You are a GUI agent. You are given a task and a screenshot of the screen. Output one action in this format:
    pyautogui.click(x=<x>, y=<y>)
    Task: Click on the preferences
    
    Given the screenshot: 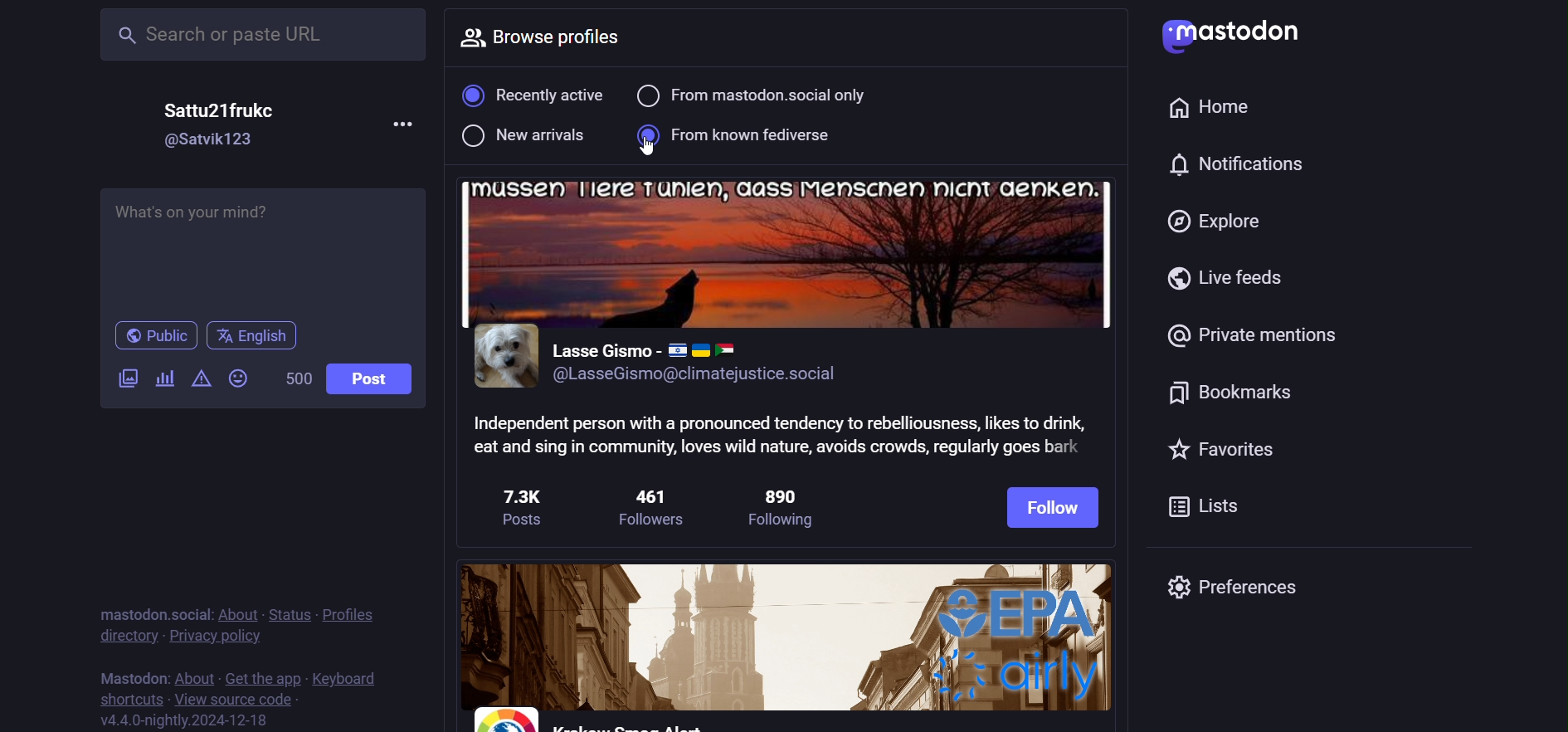 What is the action you would take?
    pyautogui.click(x=1245, y=585)
    